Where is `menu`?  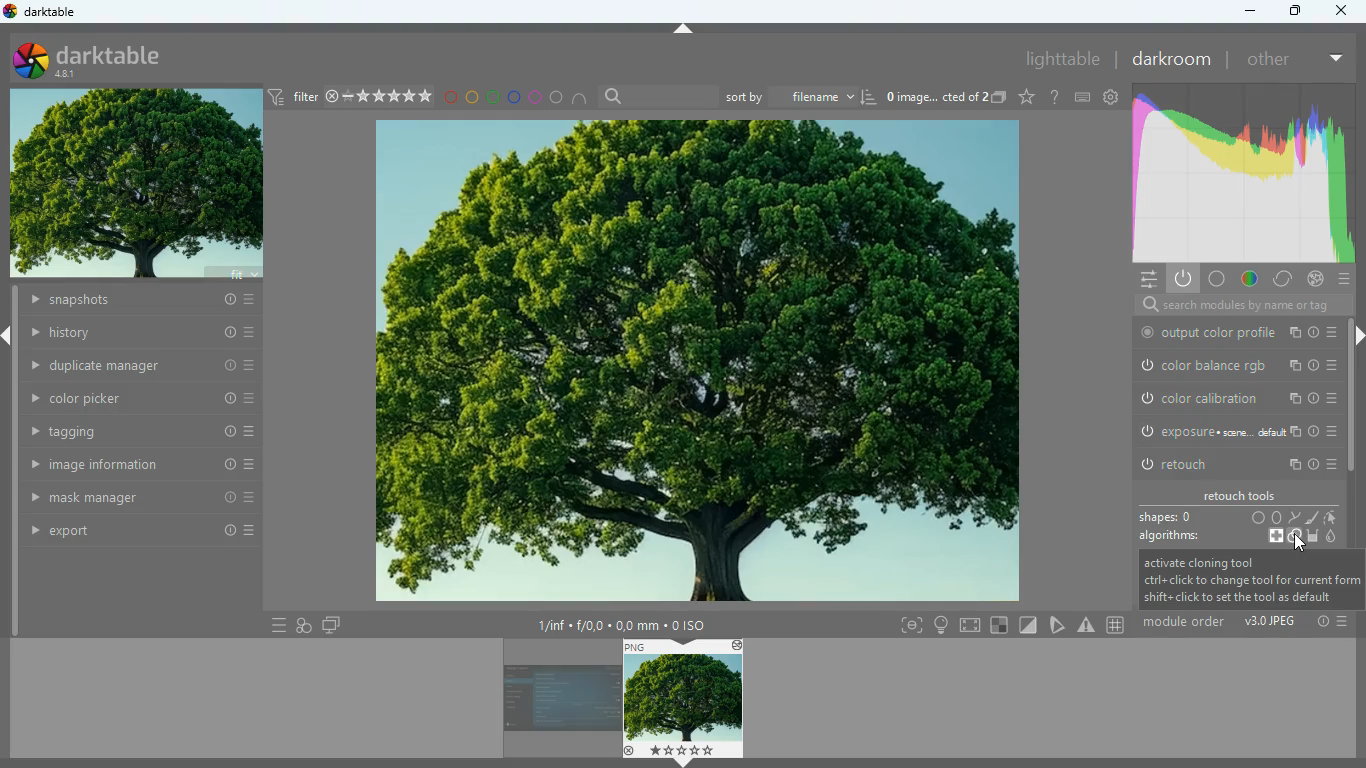
menu is located at coordinates (277, 625).